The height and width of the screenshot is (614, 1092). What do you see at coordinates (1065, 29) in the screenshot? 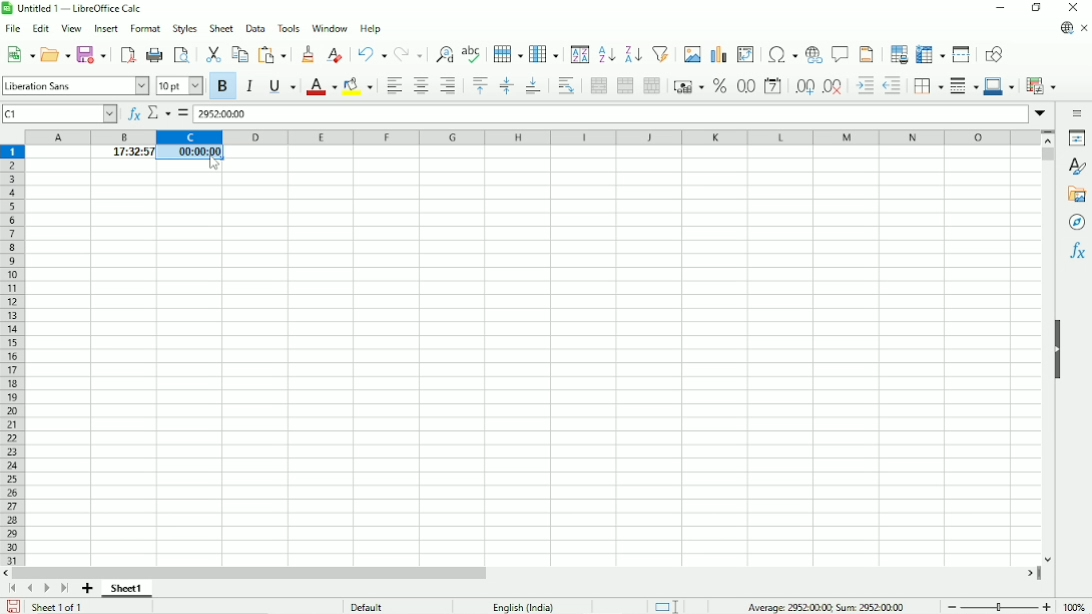
I see `Update available` at bounding box center [1065, 29].